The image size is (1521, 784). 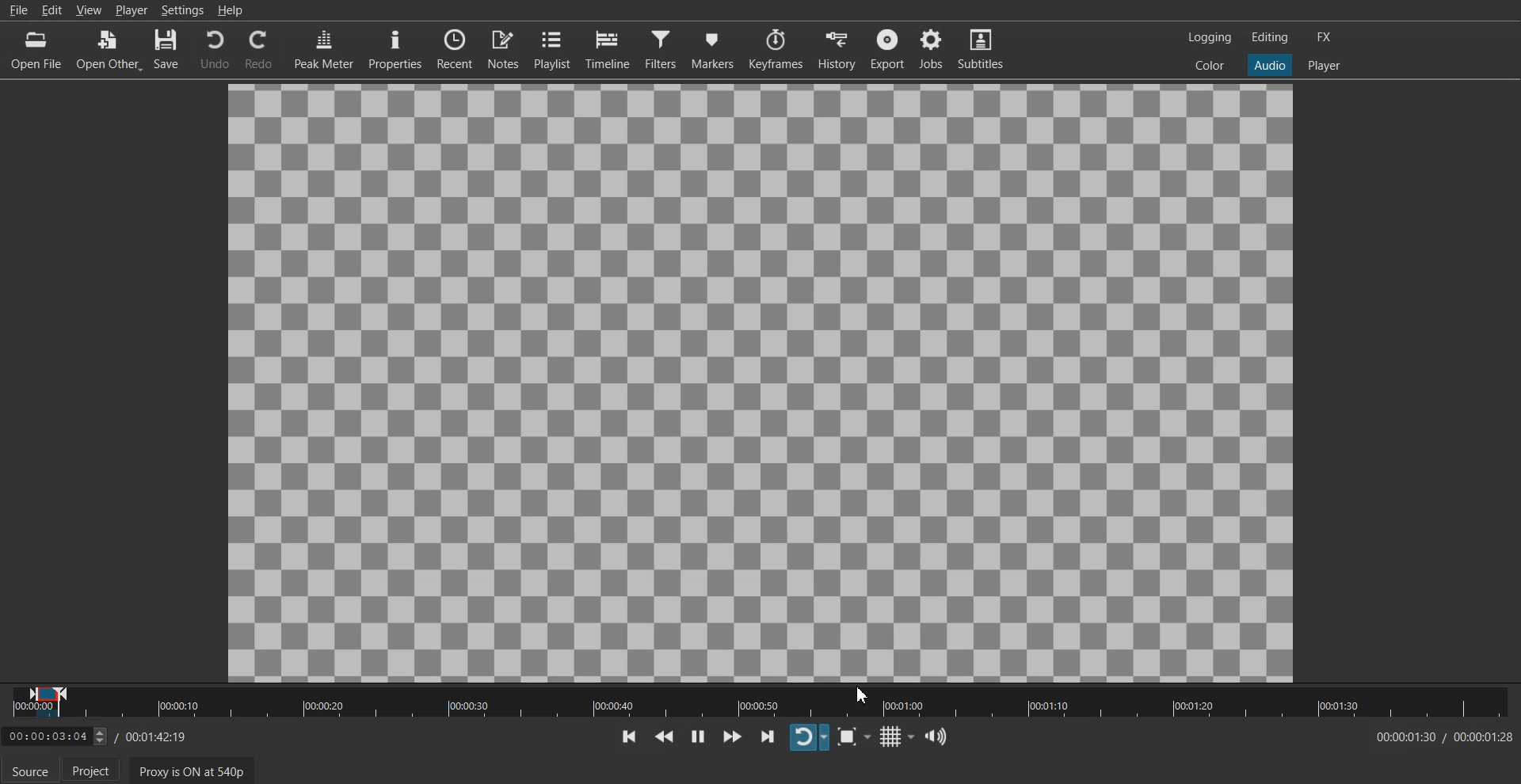 What do you see at coordinates (109, 49) in the screenshot?
I see `Open Other` at bounding box center [109, 49].